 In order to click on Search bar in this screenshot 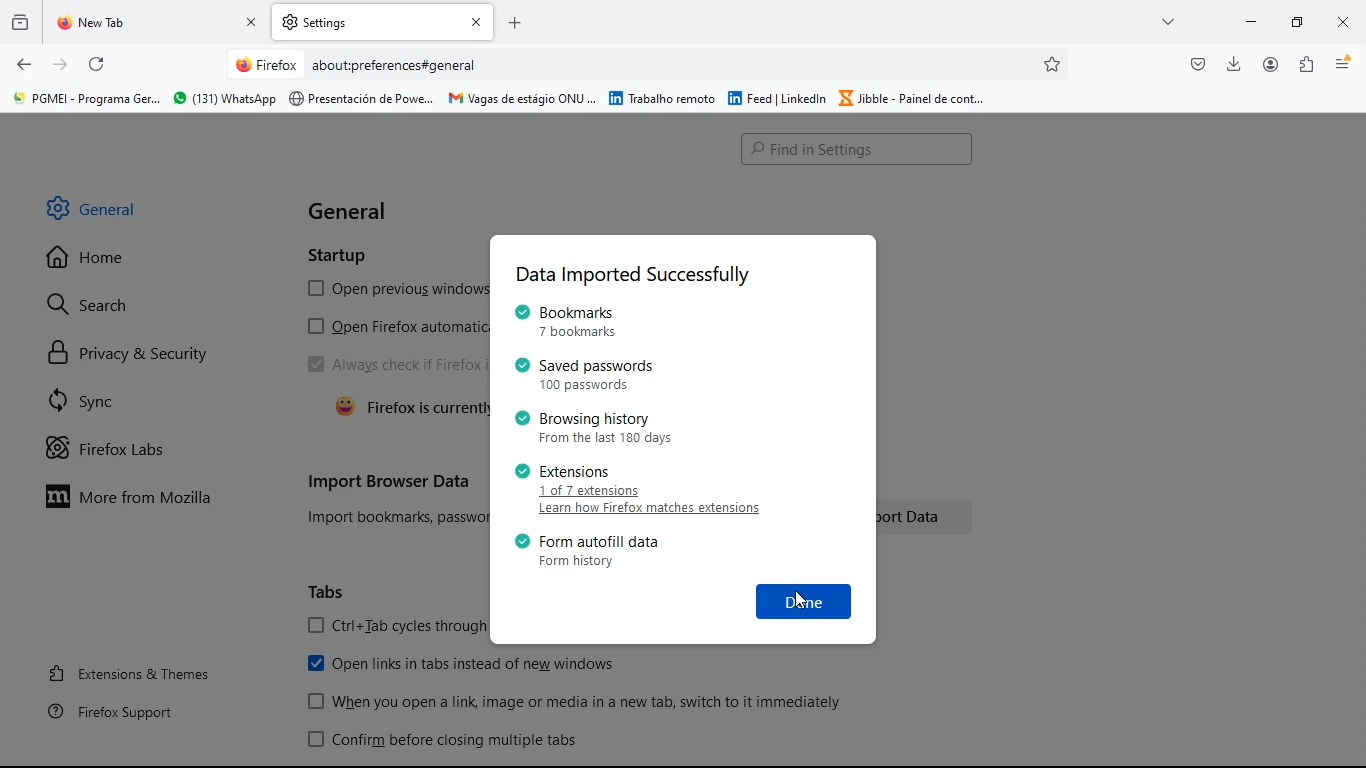, I will do `click(649, 66)`.